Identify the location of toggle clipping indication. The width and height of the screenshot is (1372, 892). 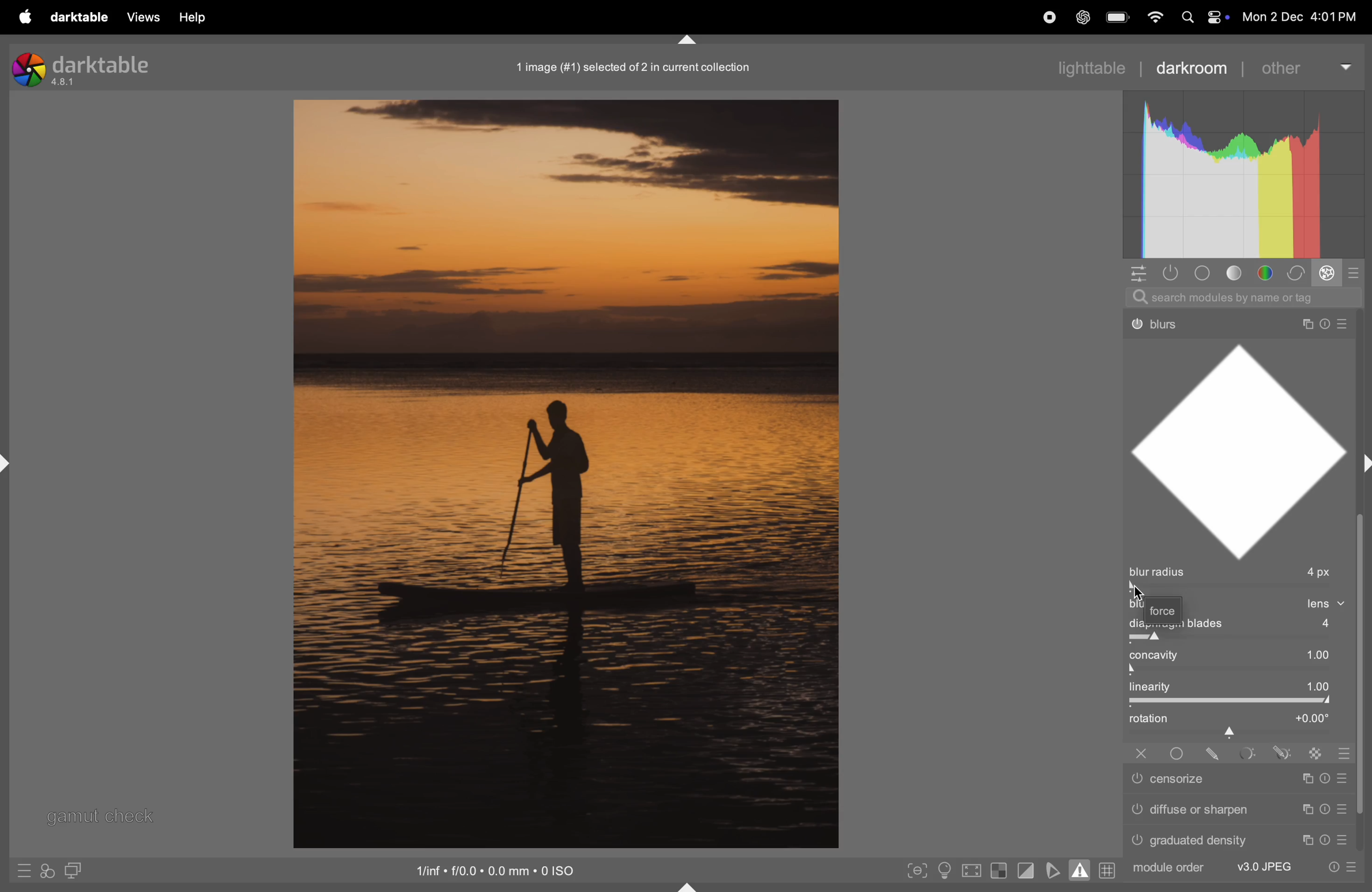
(1025, 872).